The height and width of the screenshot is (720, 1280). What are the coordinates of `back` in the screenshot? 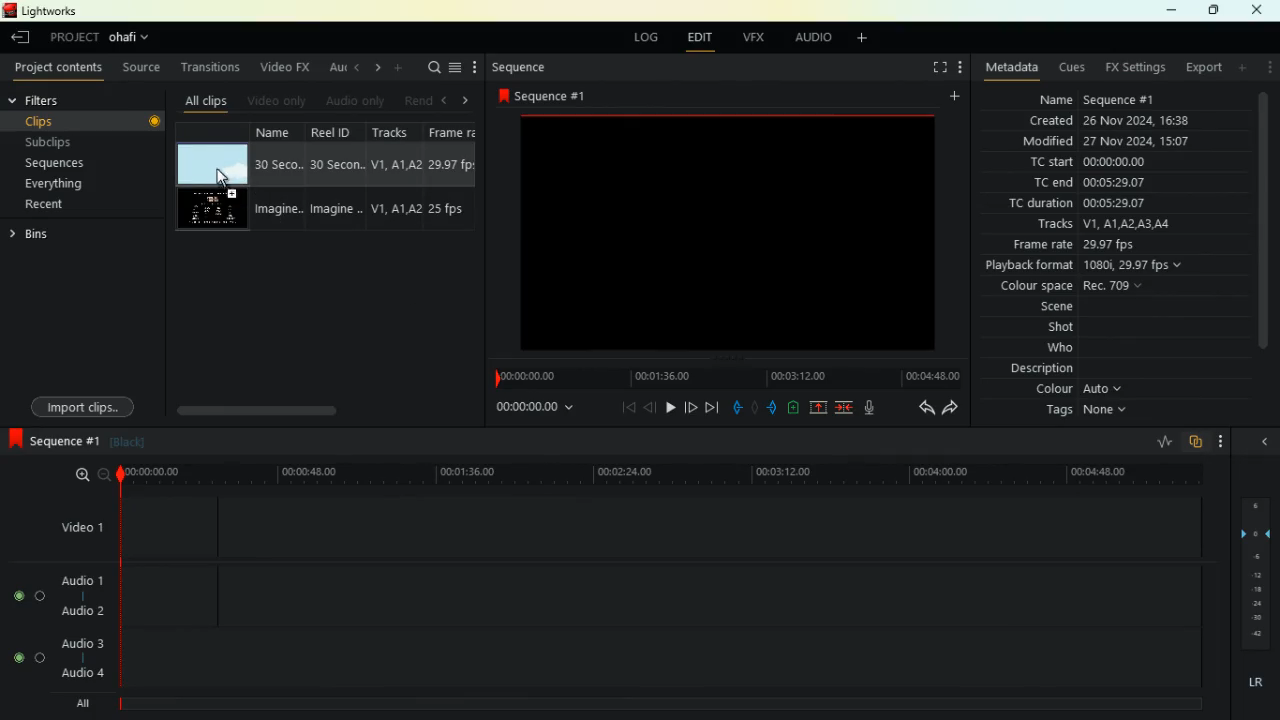 It's located at (648, 409).